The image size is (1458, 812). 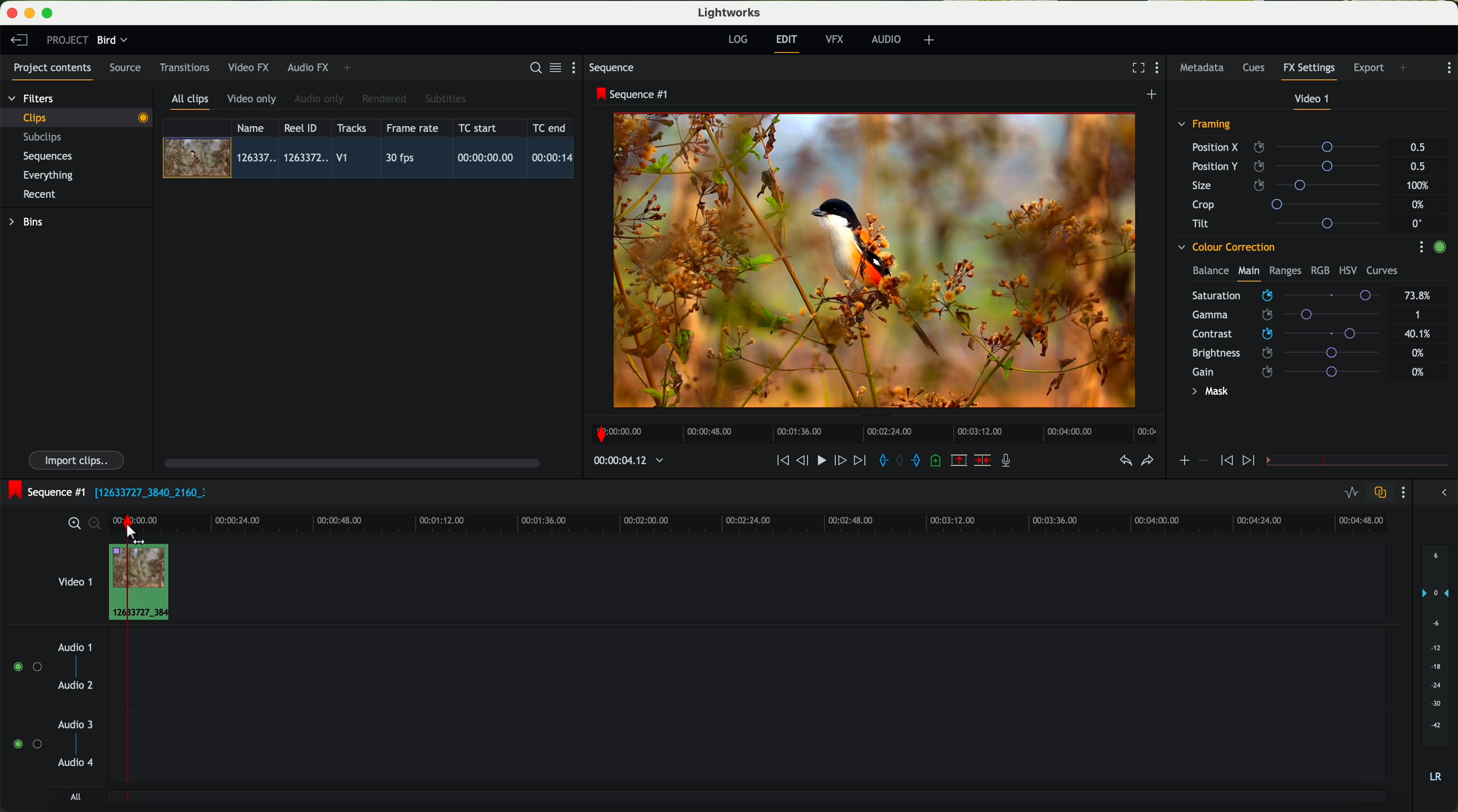 What do you see at coordinates (1287, 295) in the screenshot?
I see `mouse up (saturation)` at bounding box center [1287, 295].